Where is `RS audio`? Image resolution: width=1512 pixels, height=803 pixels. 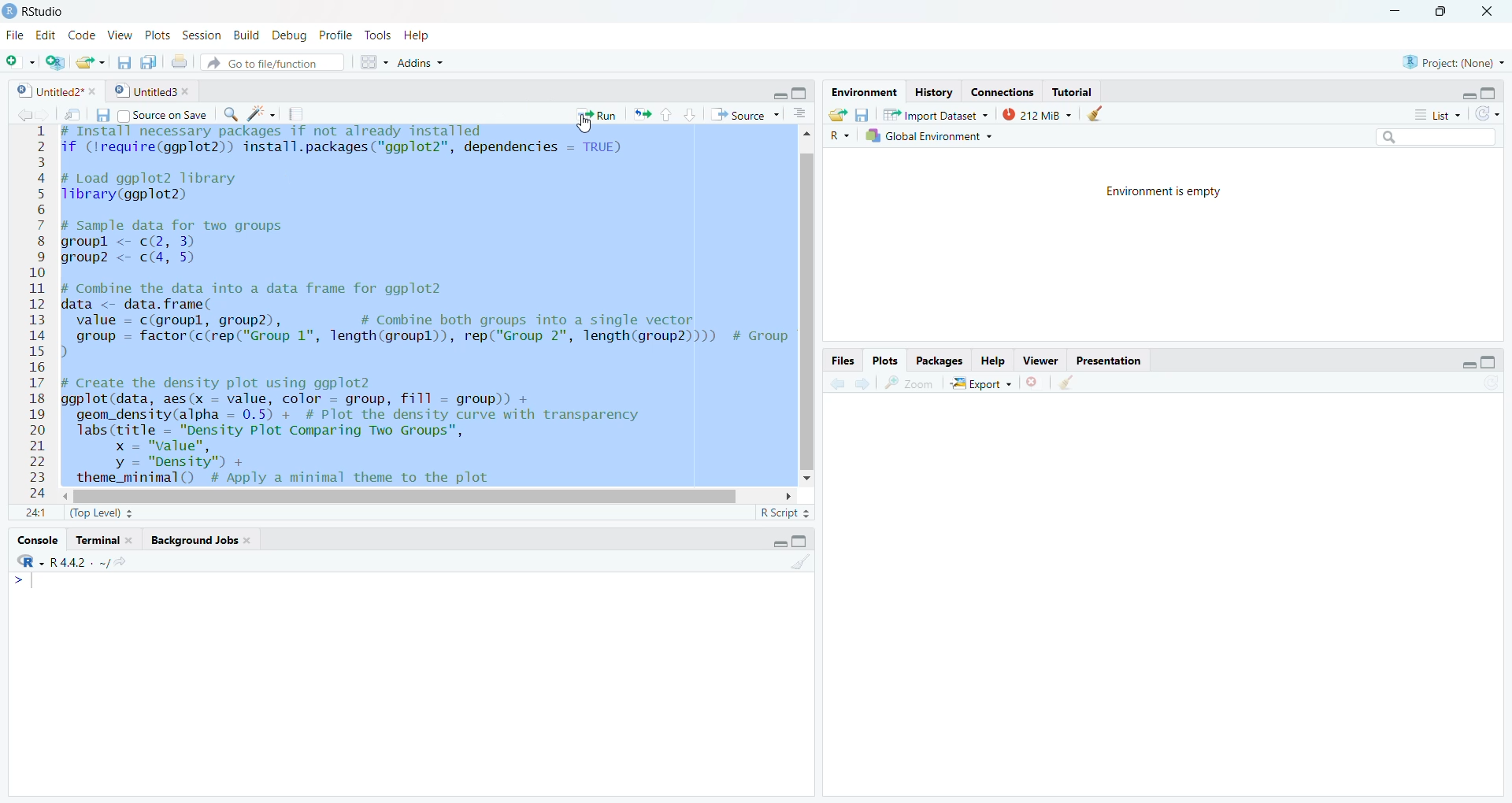
RS audio is located at coordinates (37, 12).